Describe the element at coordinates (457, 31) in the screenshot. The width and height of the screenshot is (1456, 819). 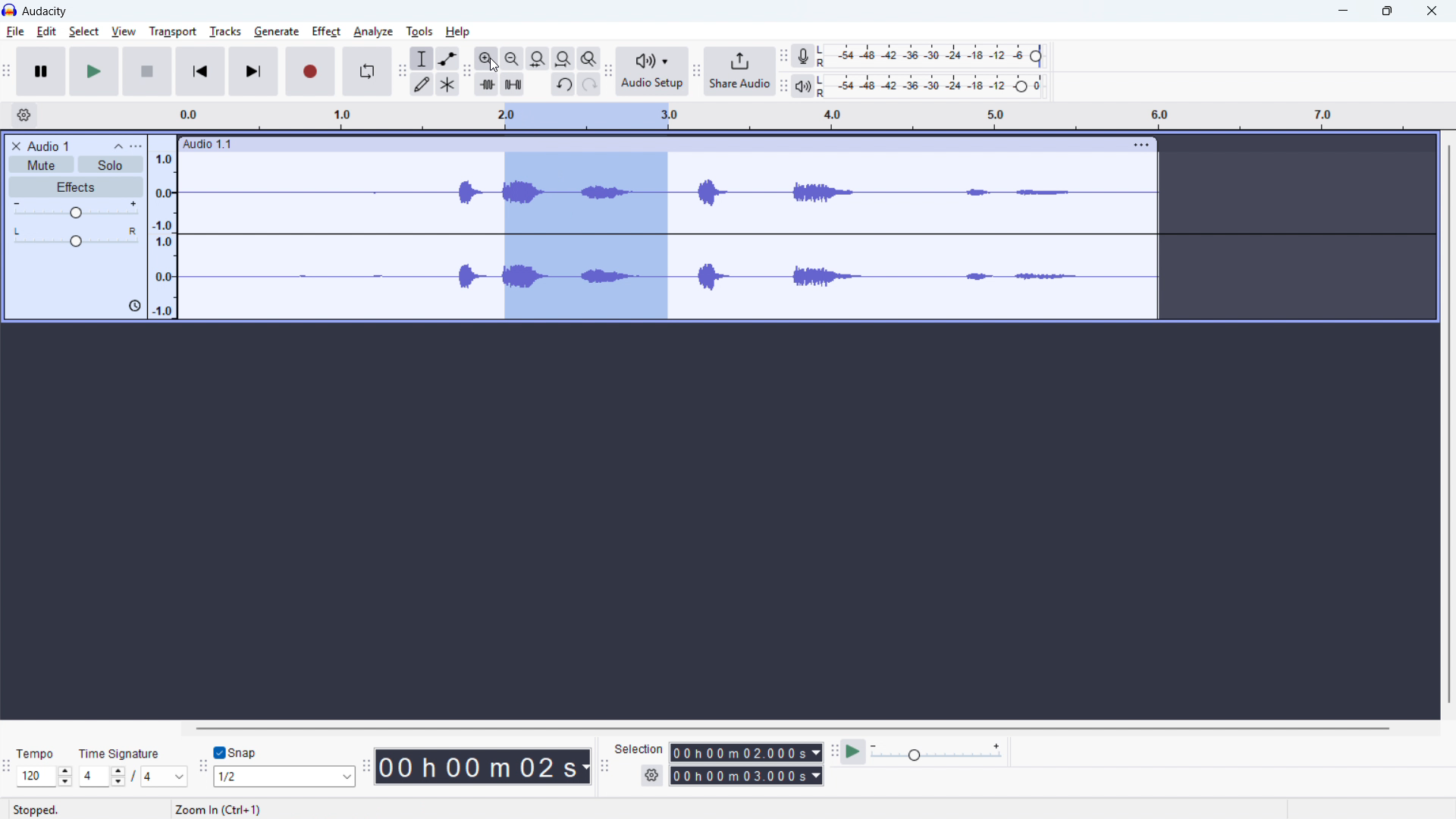
I see `help` at that location.